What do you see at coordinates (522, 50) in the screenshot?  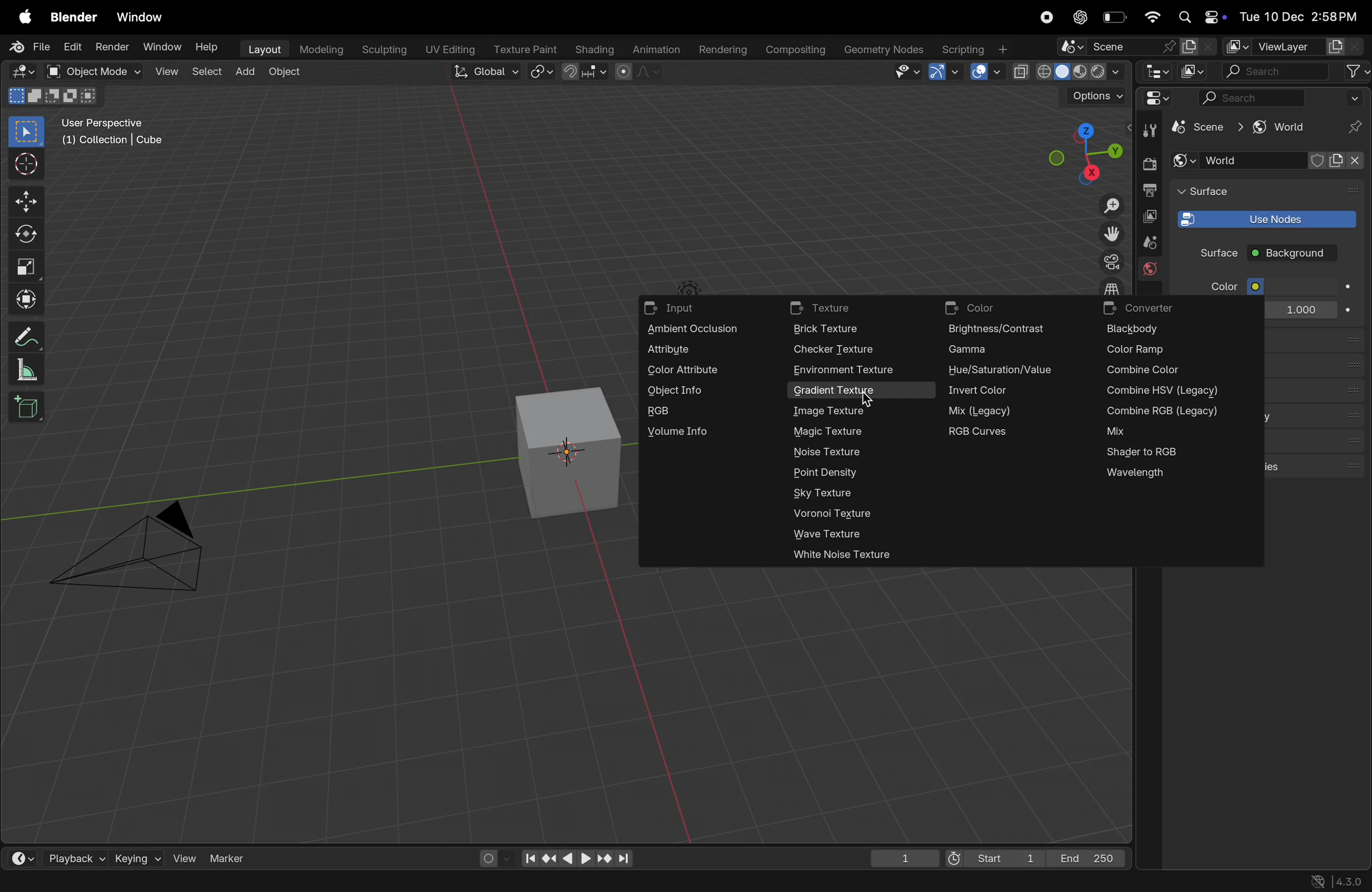 I see `texture paint` at bounding box center [522, 50].